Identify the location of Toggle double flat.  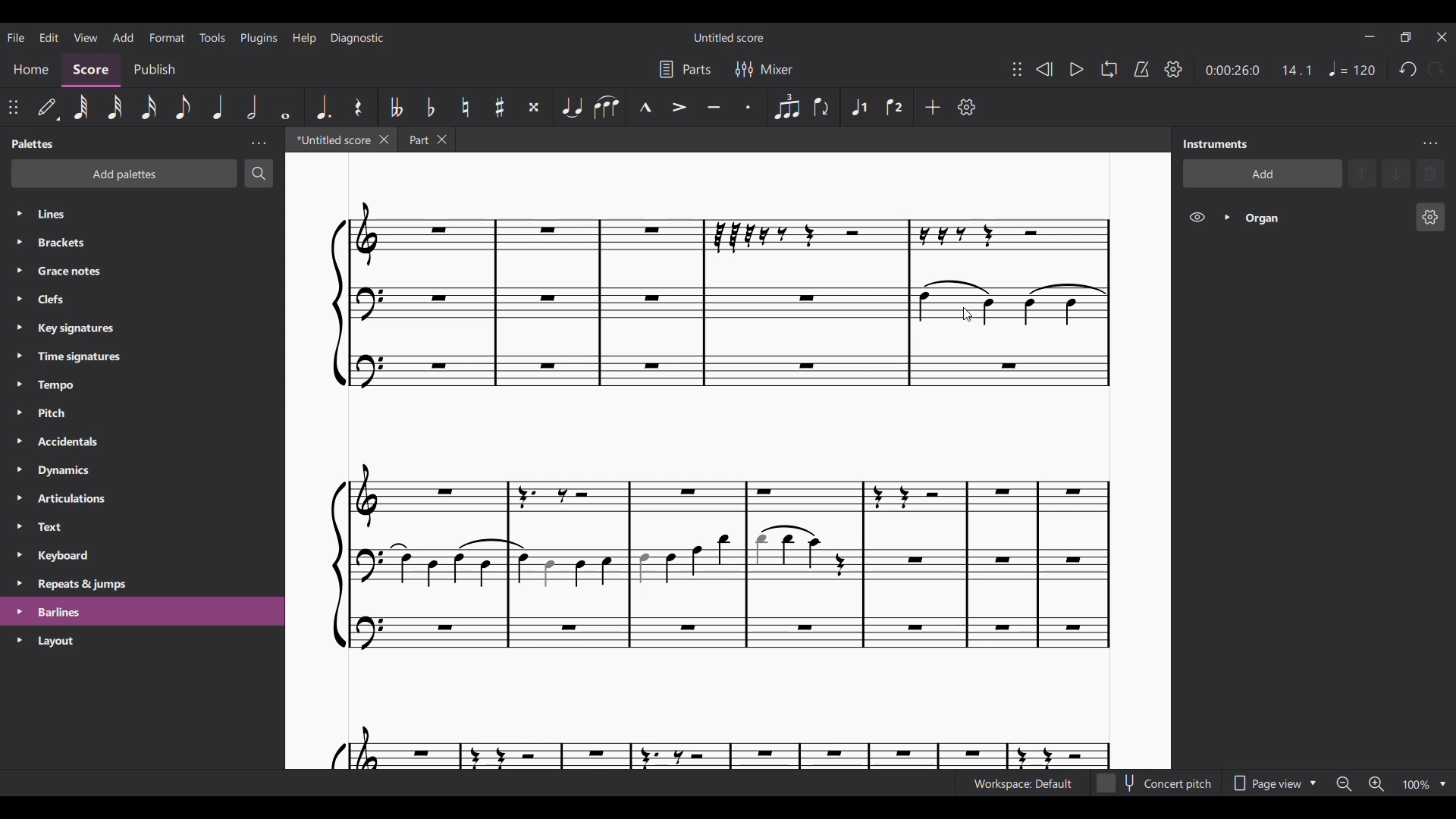
(394, 106).